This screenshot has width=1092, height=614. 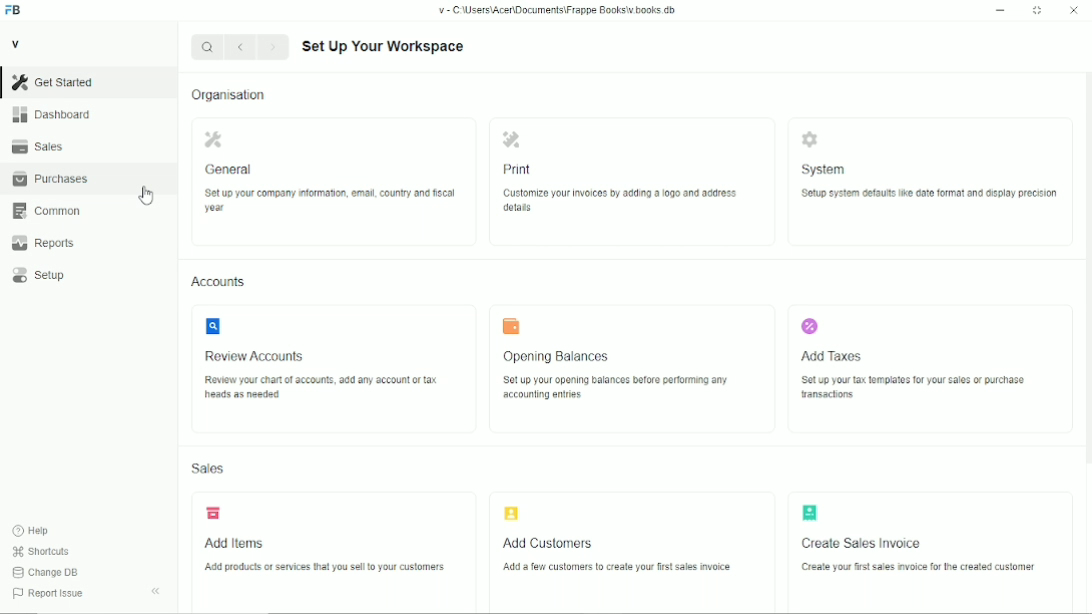 I want to click on Set Up Your Workspace, so click(x=383, y=46).